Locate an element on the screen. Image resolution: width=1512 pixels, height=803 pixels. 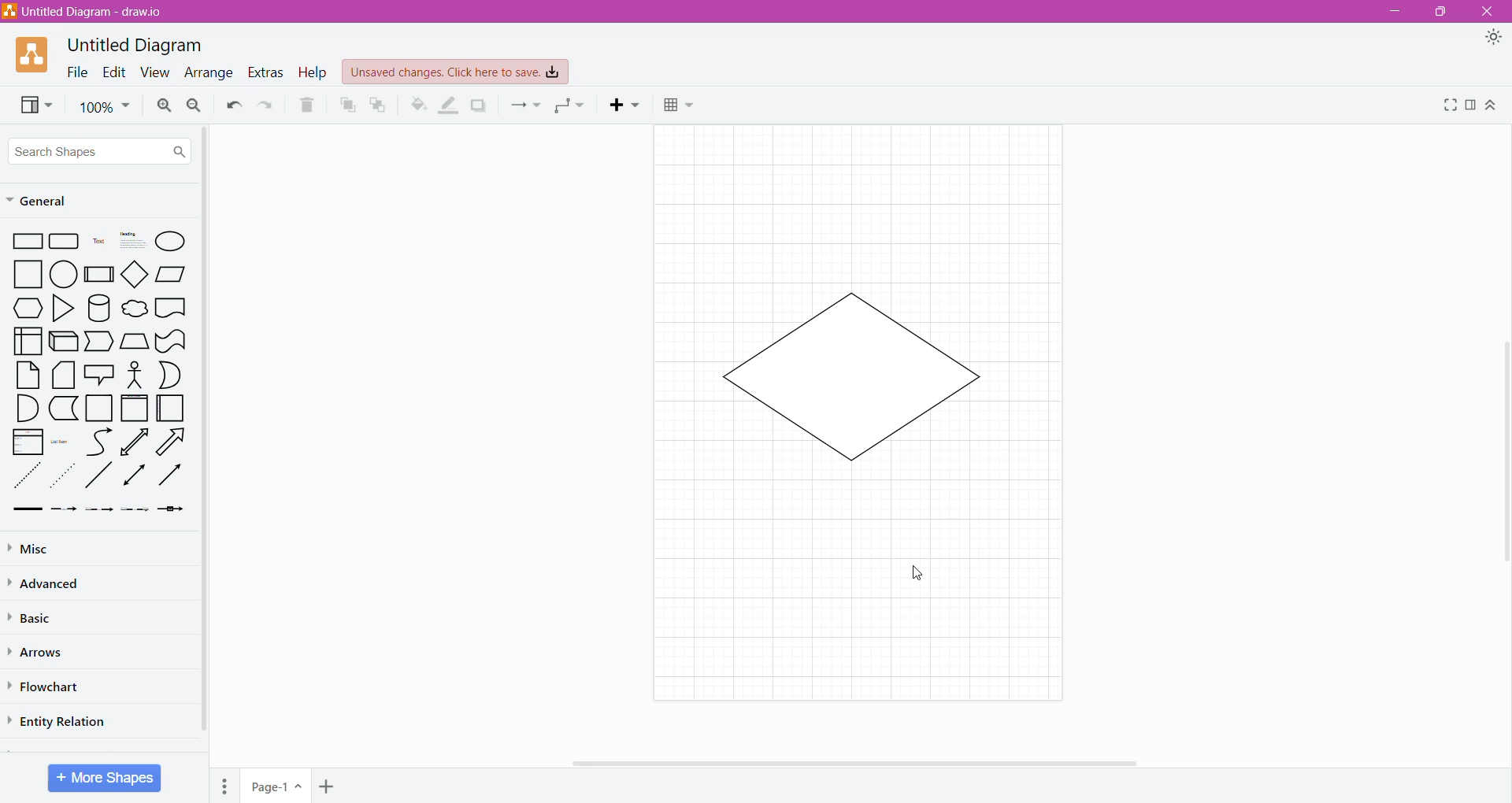
Application Logo is located at coordinates (33, 55).